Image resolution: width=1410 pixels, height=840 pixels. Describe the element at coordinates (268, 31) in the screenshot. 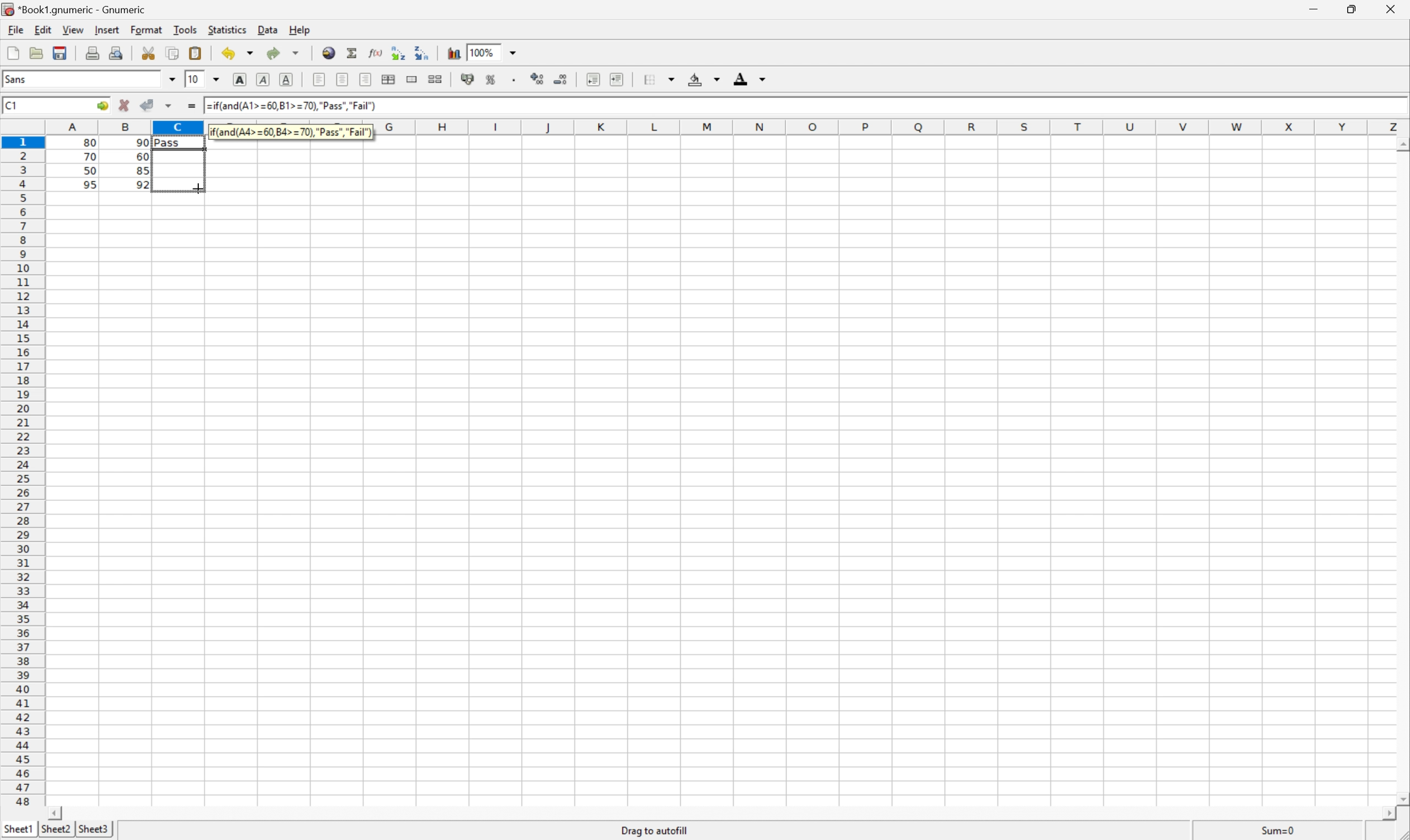

I see `Data` at that location.